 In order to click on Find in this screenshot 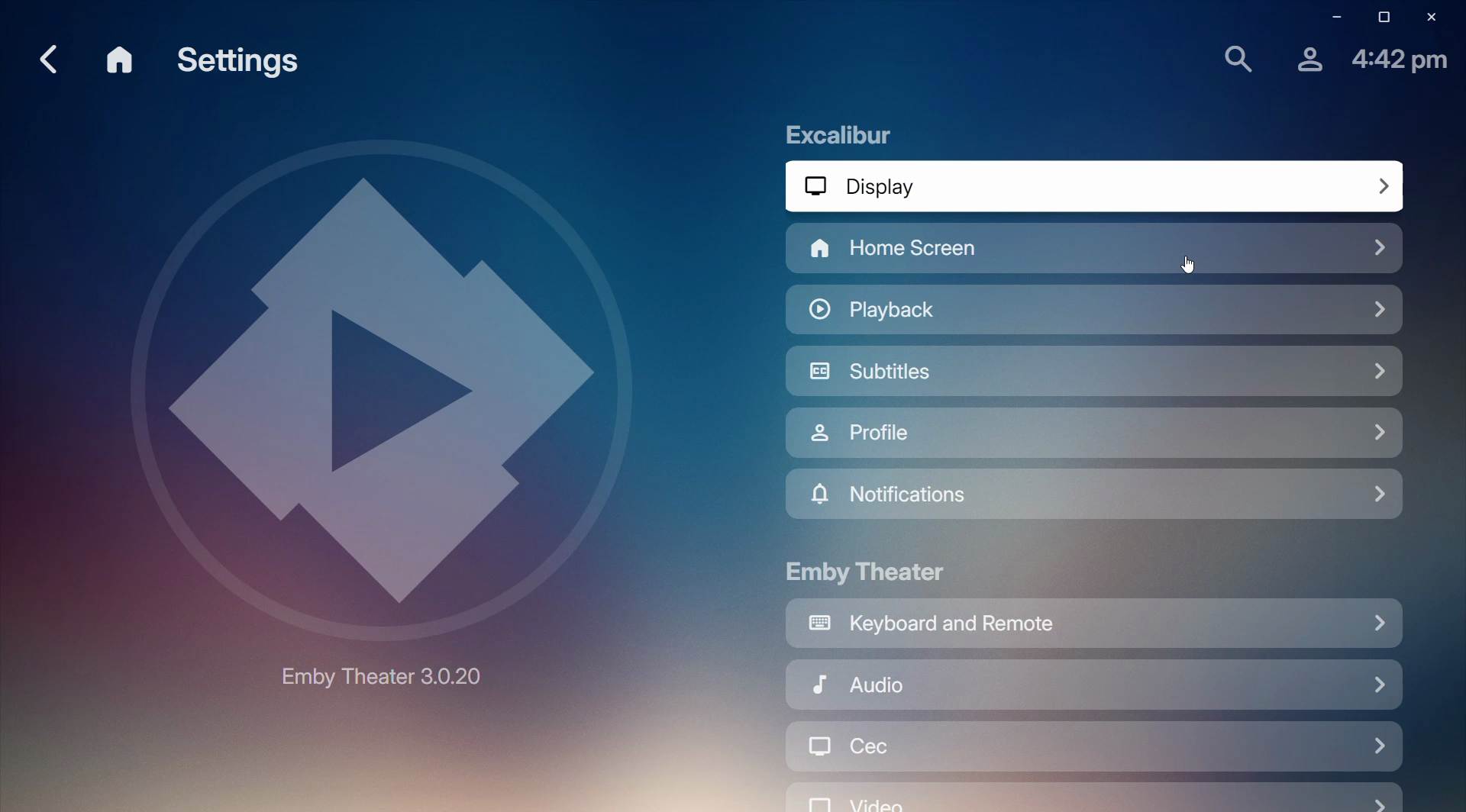, I will do `click(1235, 57)`.